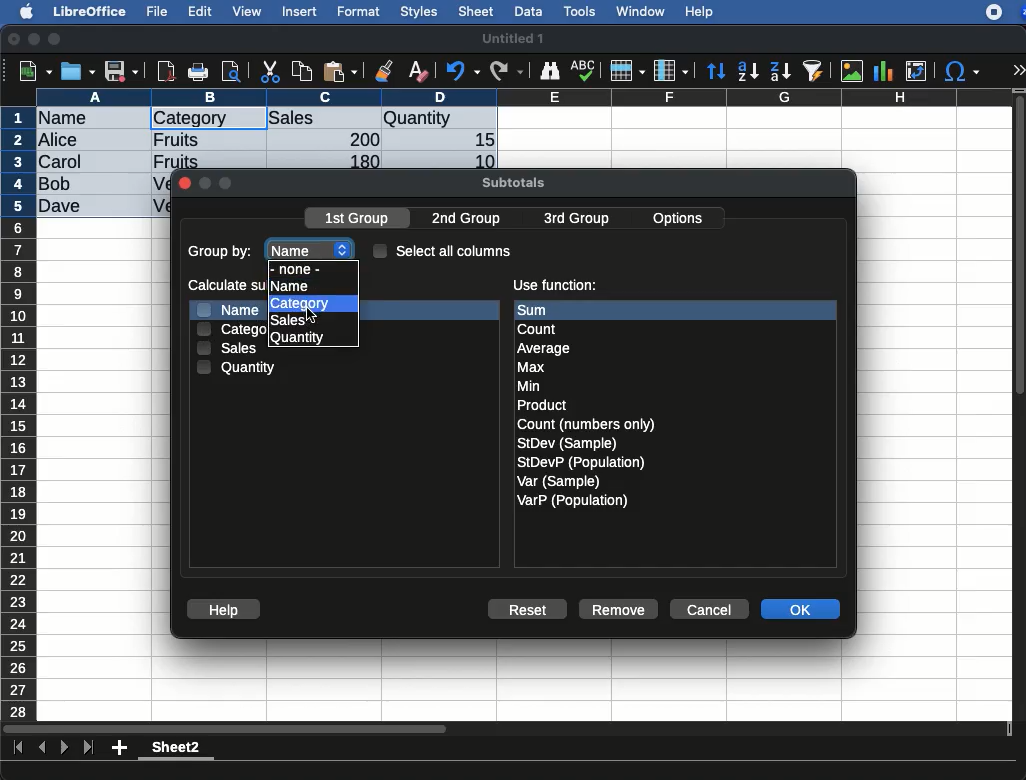  I want to click on quantity , so click(238, 367).